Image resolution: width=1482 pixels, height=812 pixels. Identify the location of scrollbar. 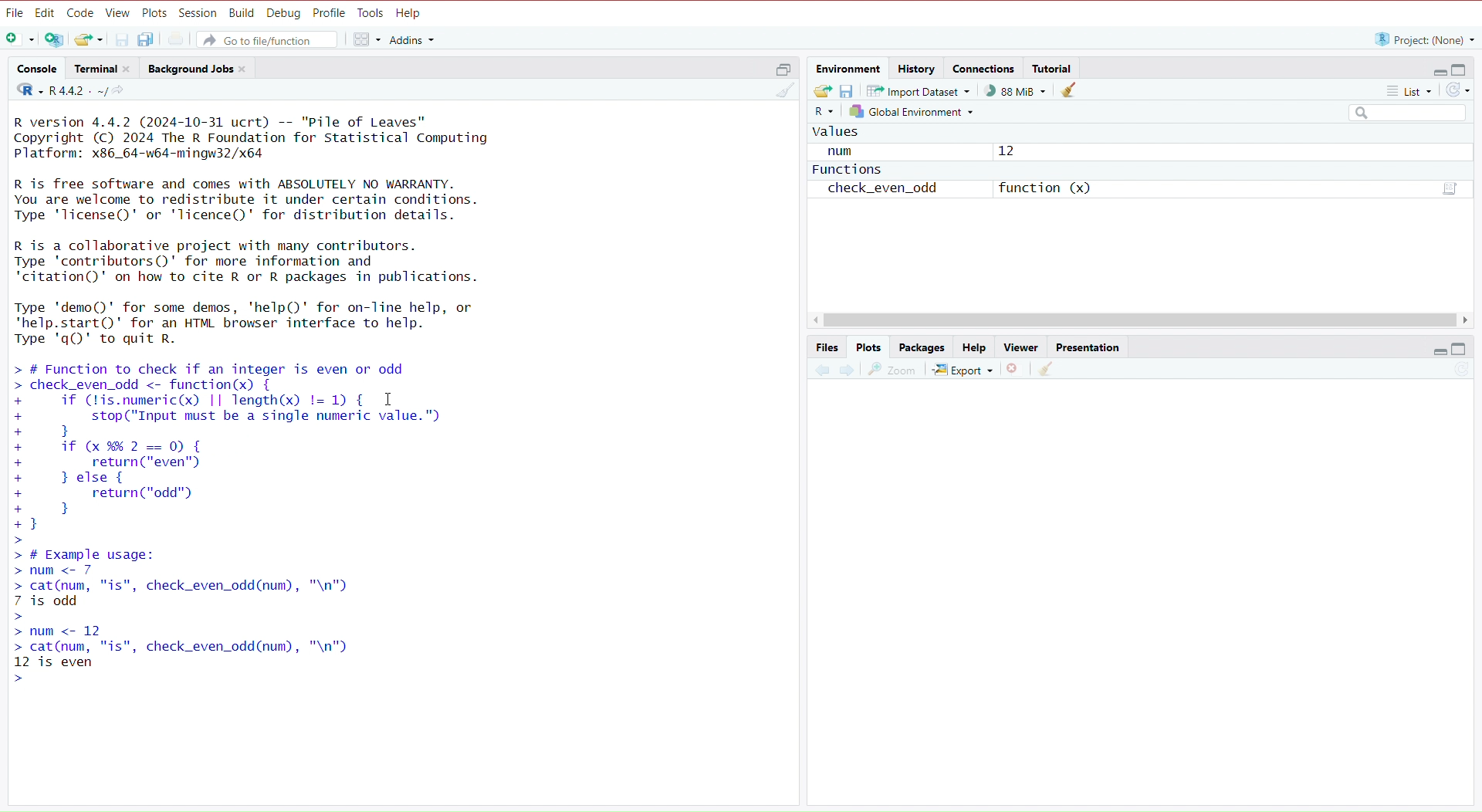
(1142, 321).